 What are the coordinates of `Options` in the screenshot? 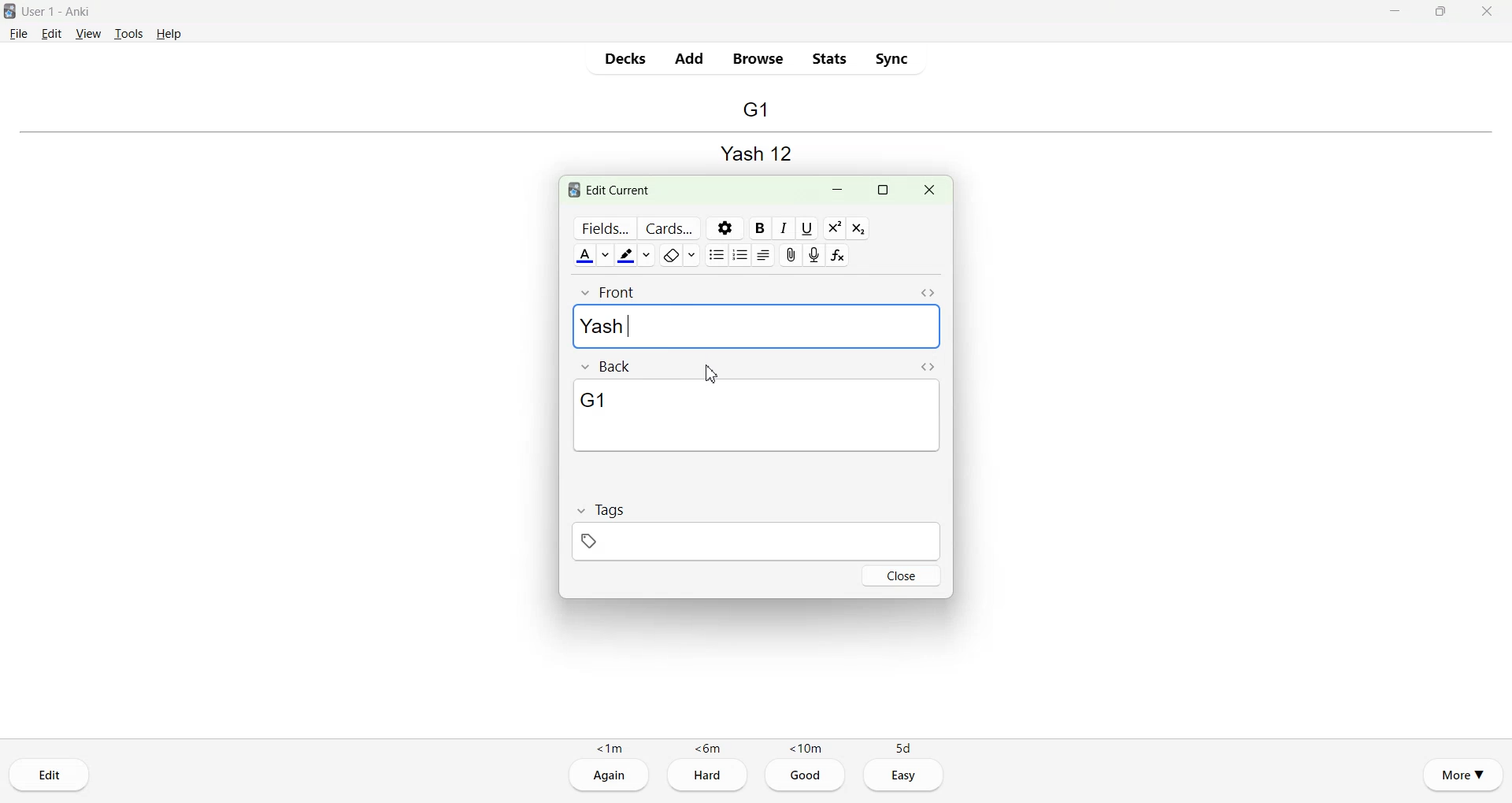 It's located at (724, 228).